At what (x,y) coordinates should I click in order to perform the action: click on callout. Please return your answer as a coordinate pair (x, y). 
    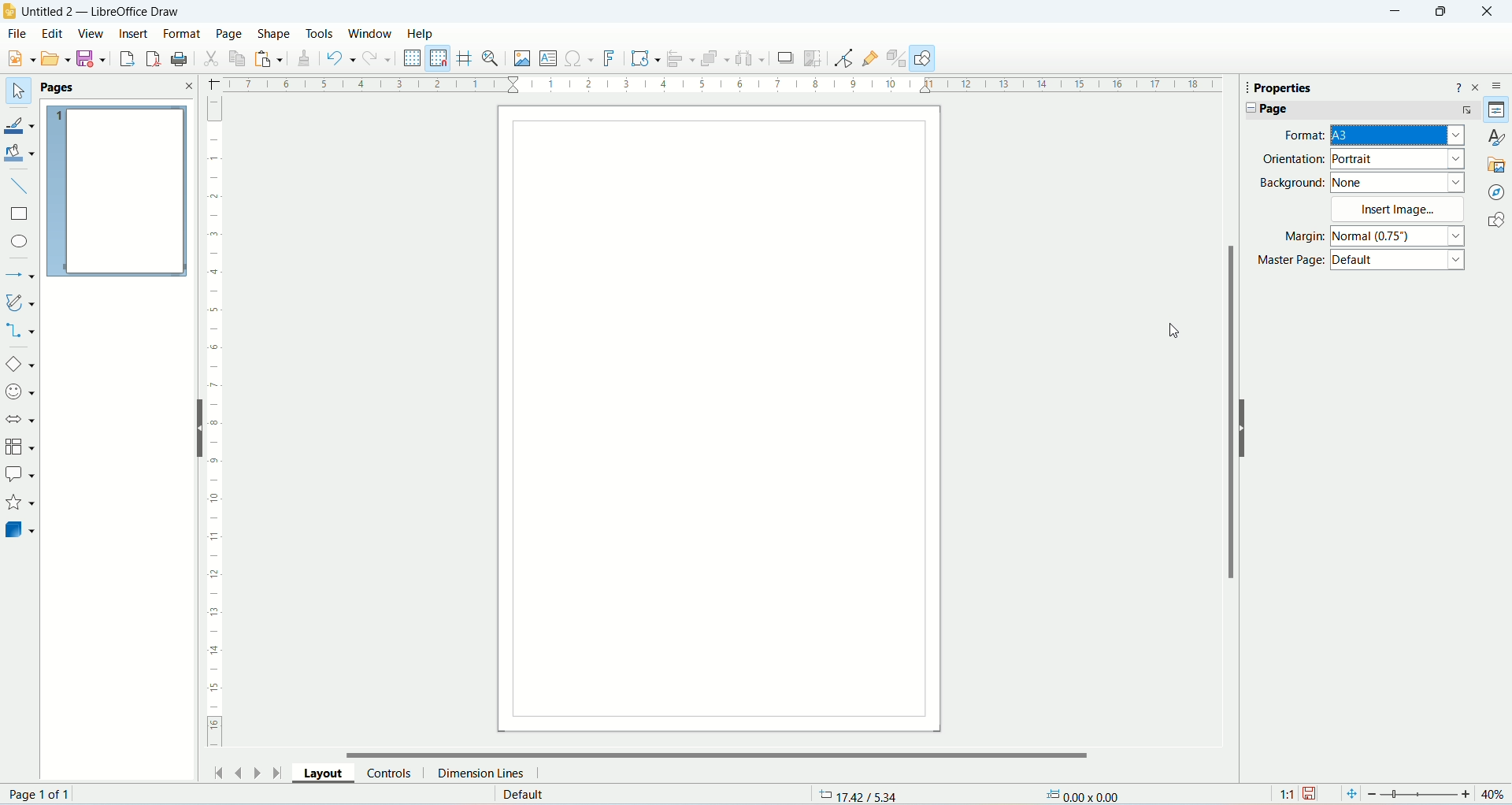
    Looking at the image, I should click on (20, 473).